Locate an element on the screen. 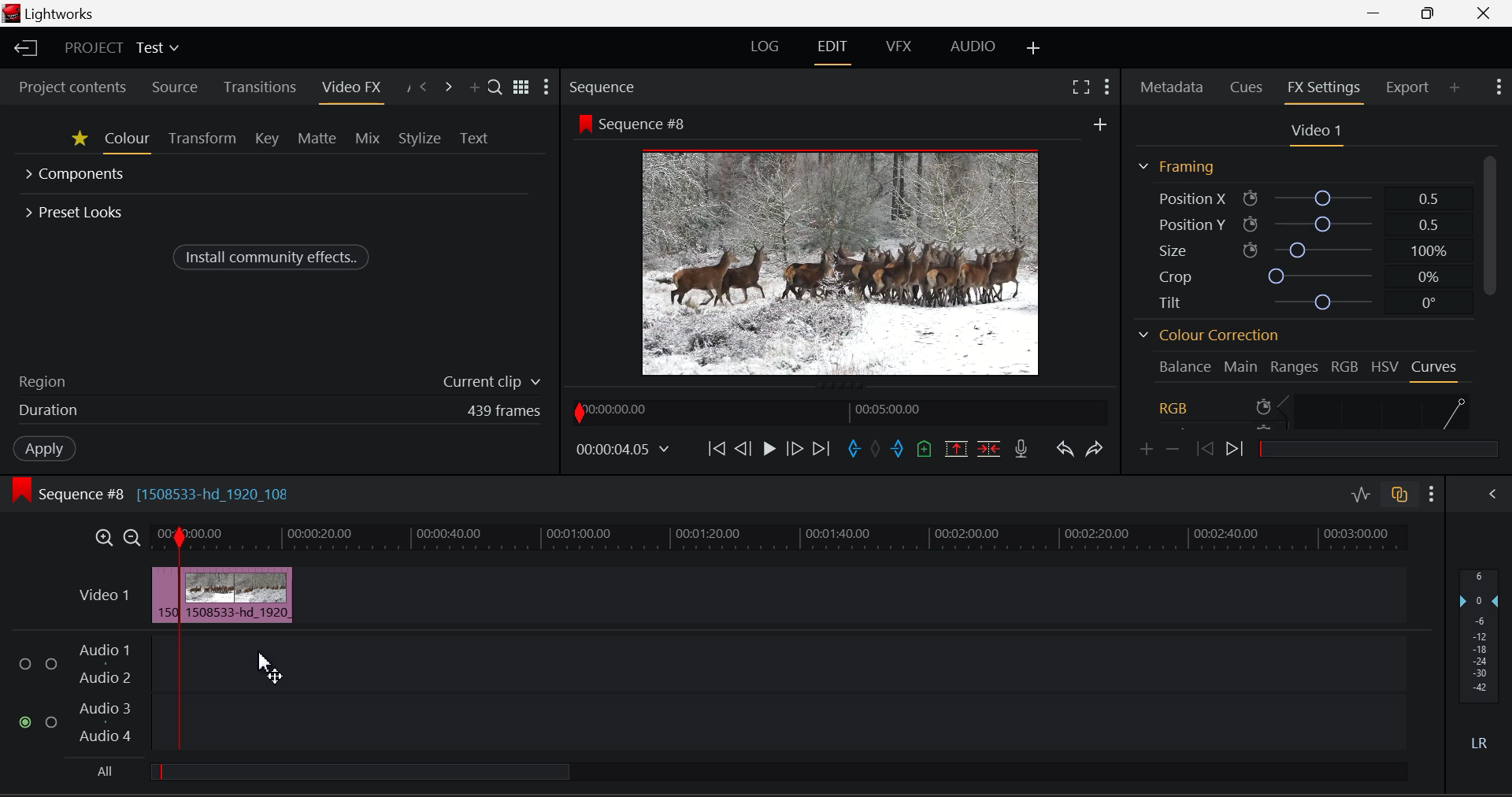 Image resolution: width=1512 pixels, height=797 pixels. Go Forward is located at coordinates (797, 447).